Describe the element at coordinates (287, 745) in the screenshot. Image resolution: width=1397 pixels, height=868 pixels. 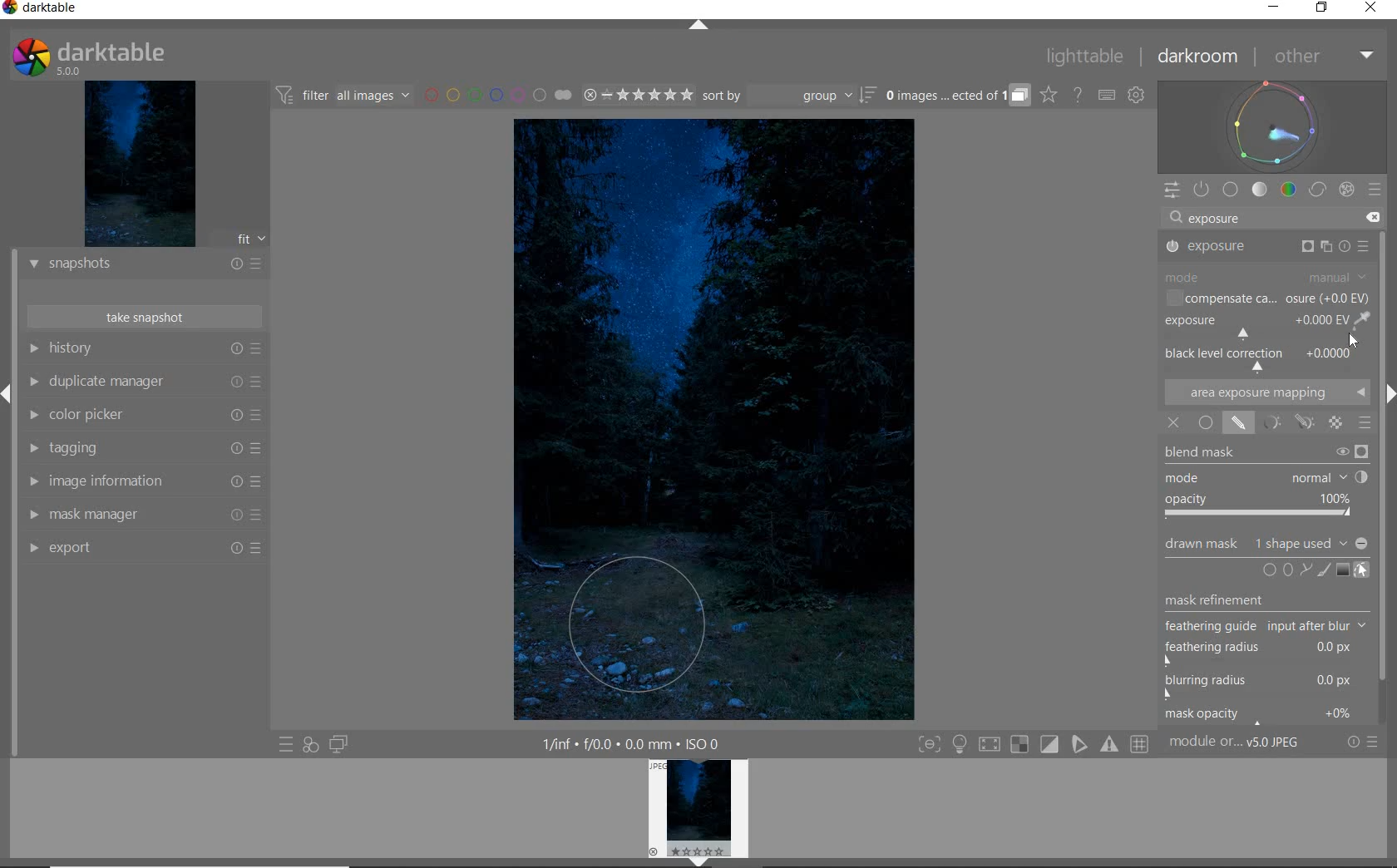
I see `QUICK ACCESS TO PRESET` at that location.